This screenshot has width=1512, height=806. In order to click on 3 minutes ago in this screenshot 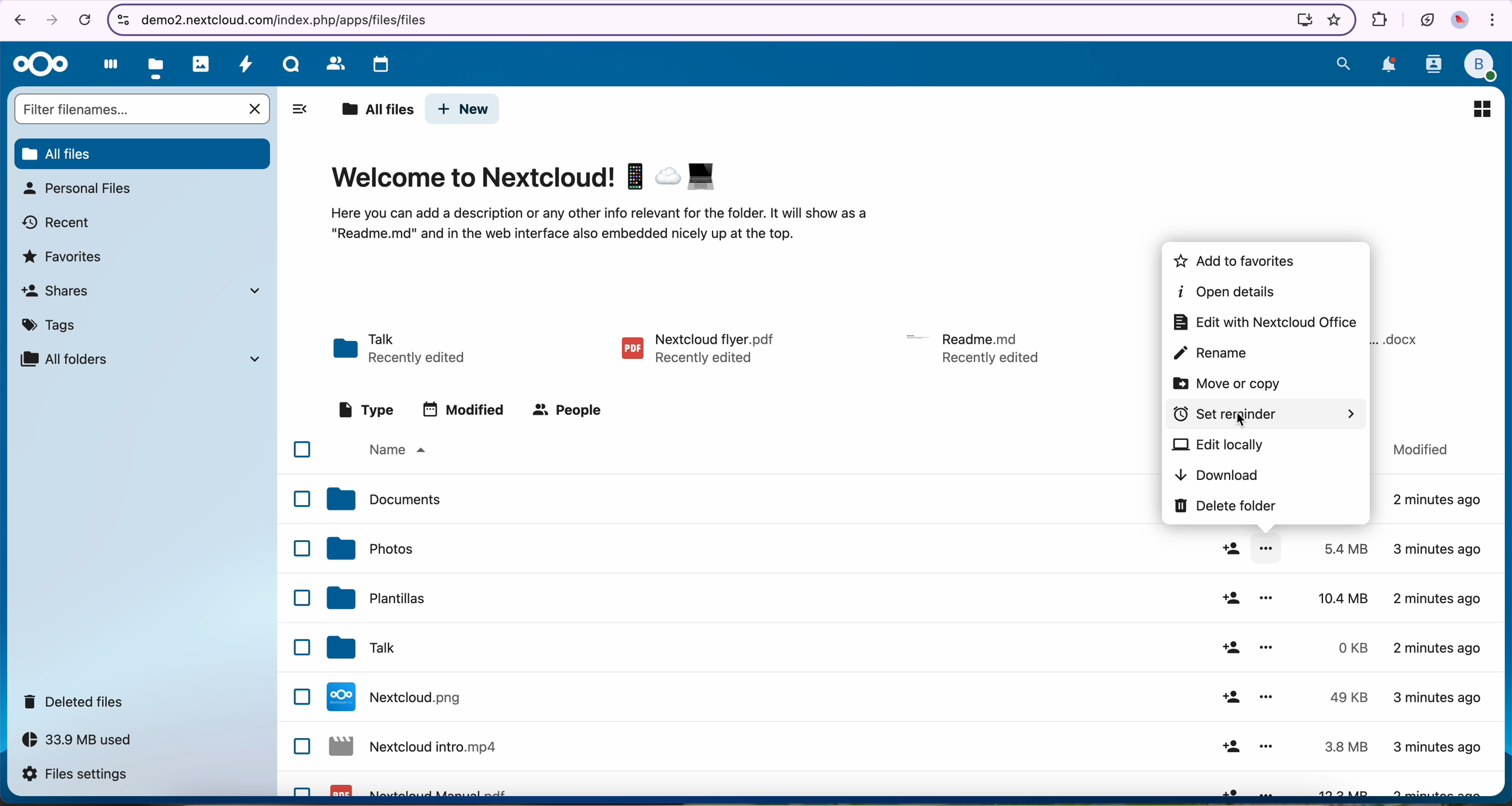, I will do `click(1437, 548)`.